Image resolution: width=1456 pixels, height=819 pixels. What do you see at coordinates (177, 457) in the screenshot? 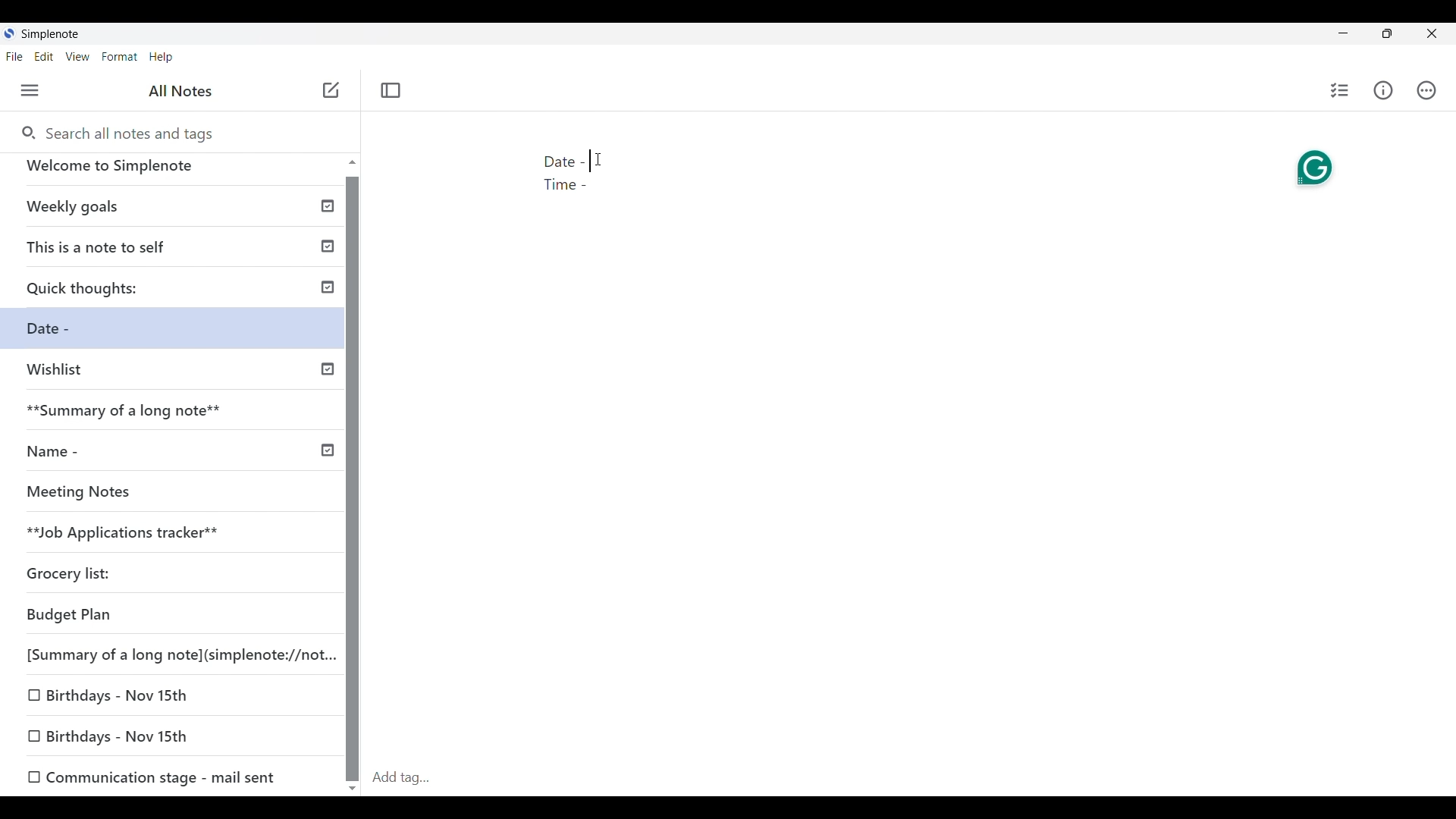
I see `Published note indicated by check icon` at bounding box center [177, 457].